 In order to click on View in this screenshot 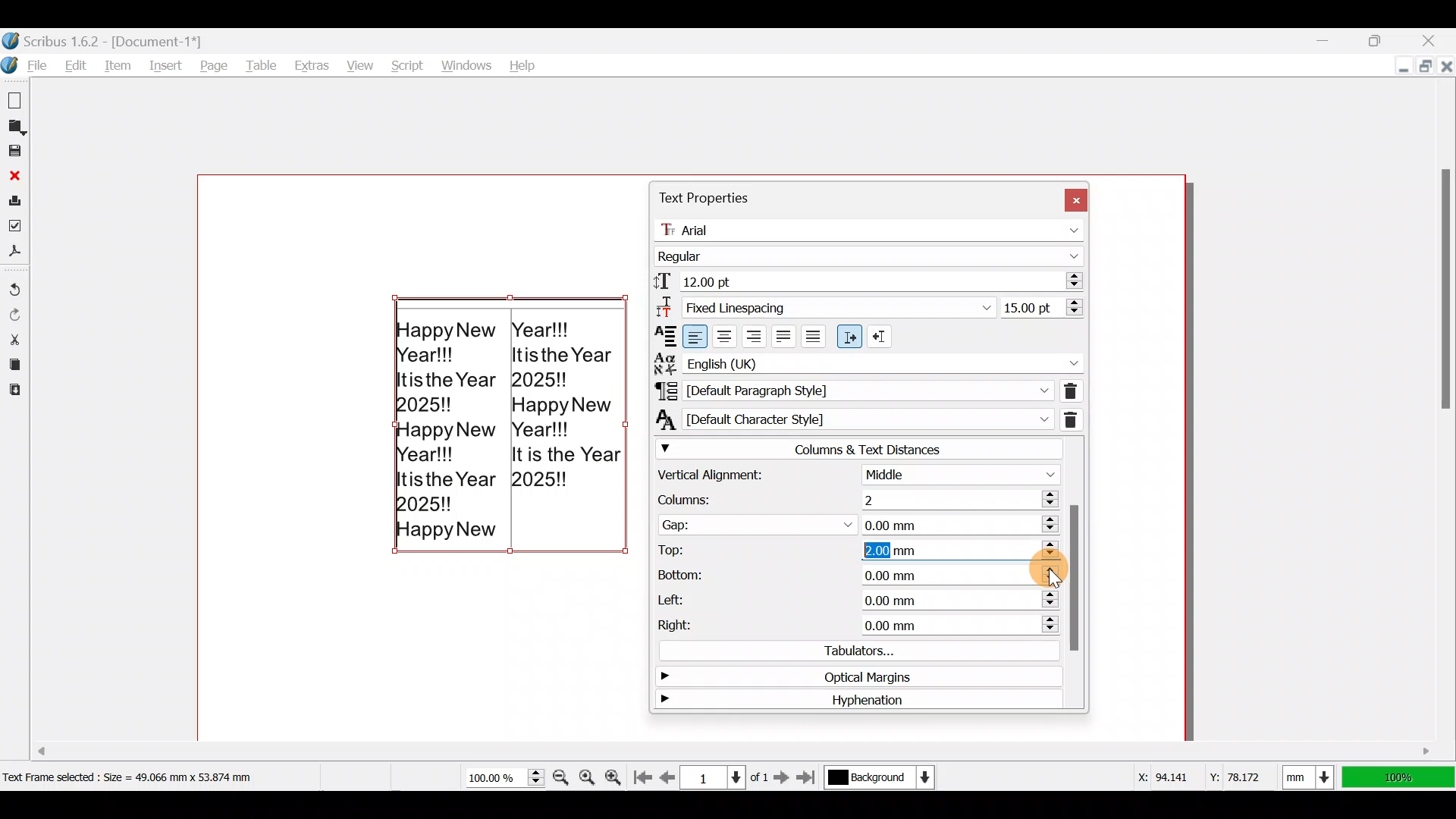, I will do `click(358, 62)`.